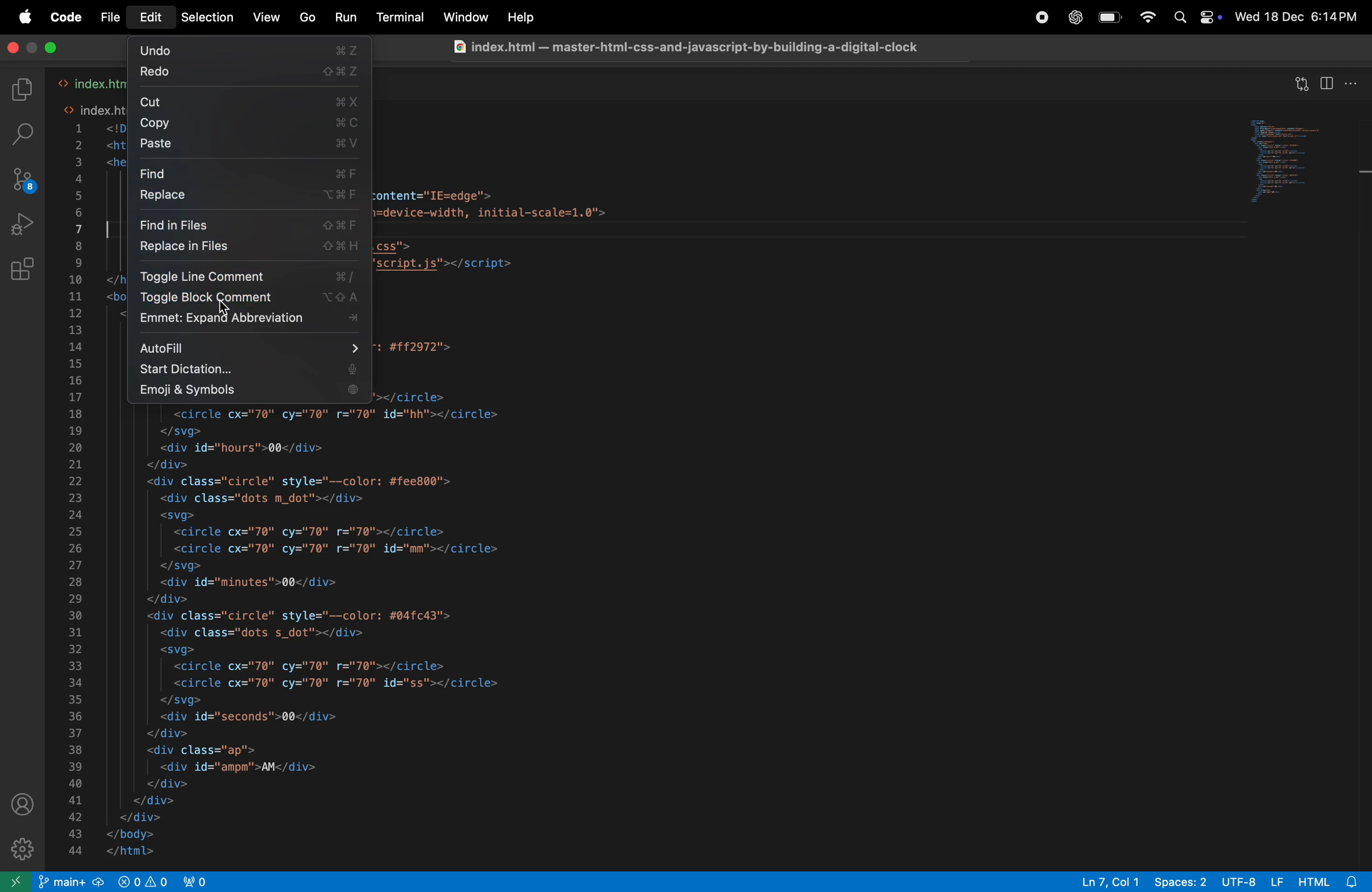  What do you see at coordinates (24, 181) in the screenshot?
I see `source control` at bounding box center [24, 181].